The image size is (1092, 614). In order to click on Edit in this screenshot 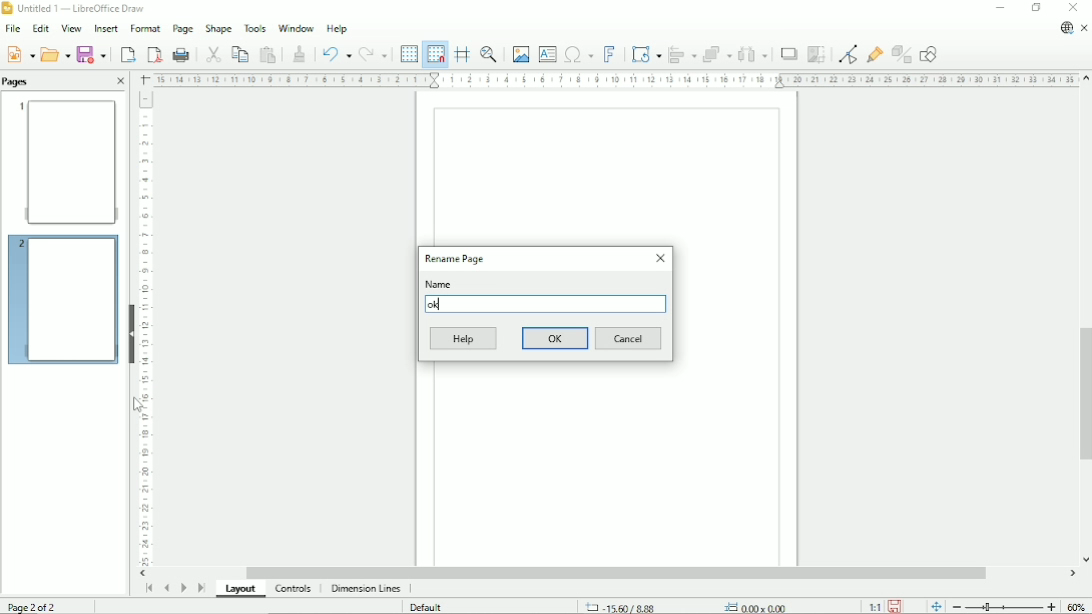, I will do `click(39, 29)`.